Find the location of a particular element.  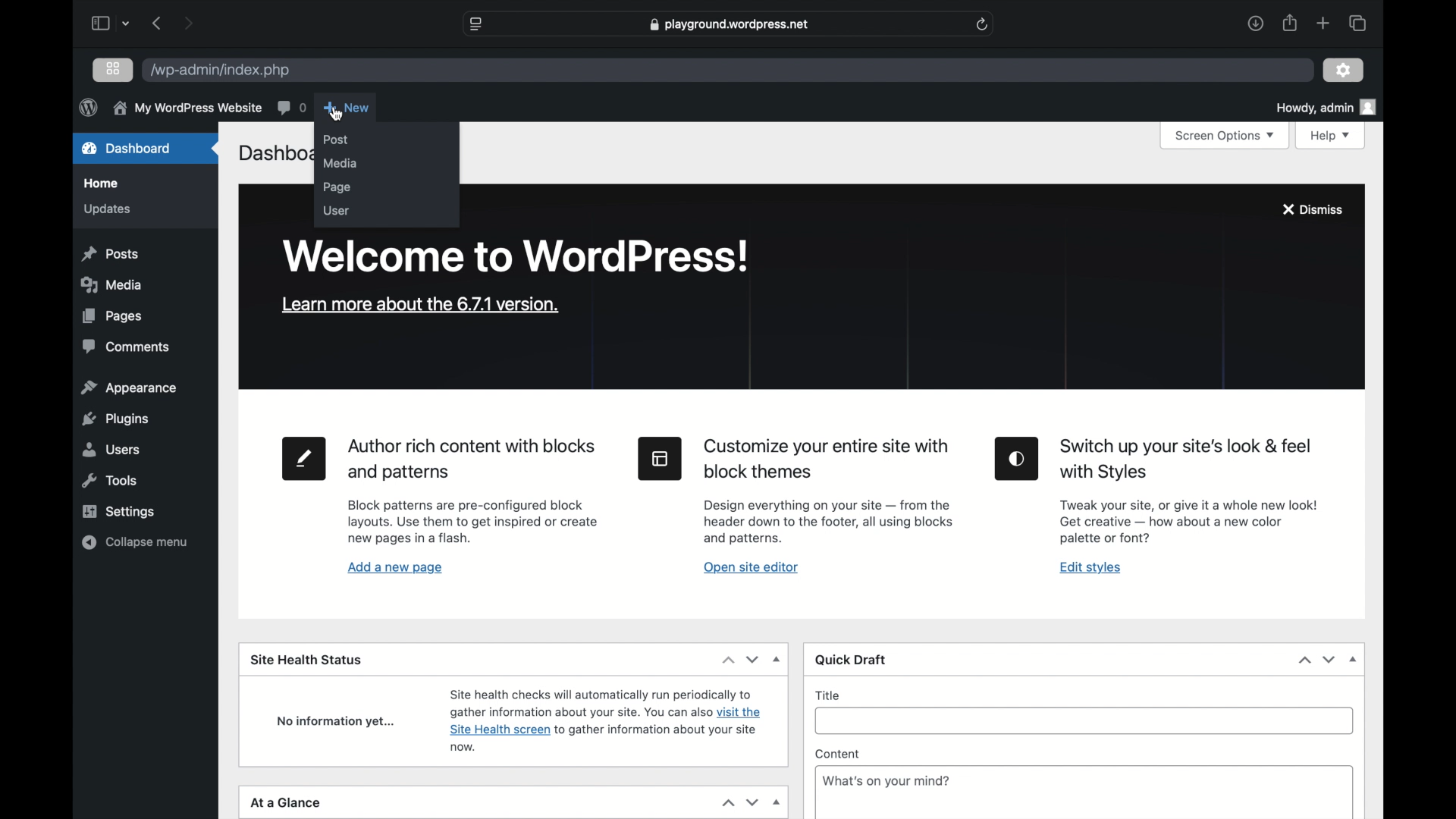

title is located at coordinates (828, 695).